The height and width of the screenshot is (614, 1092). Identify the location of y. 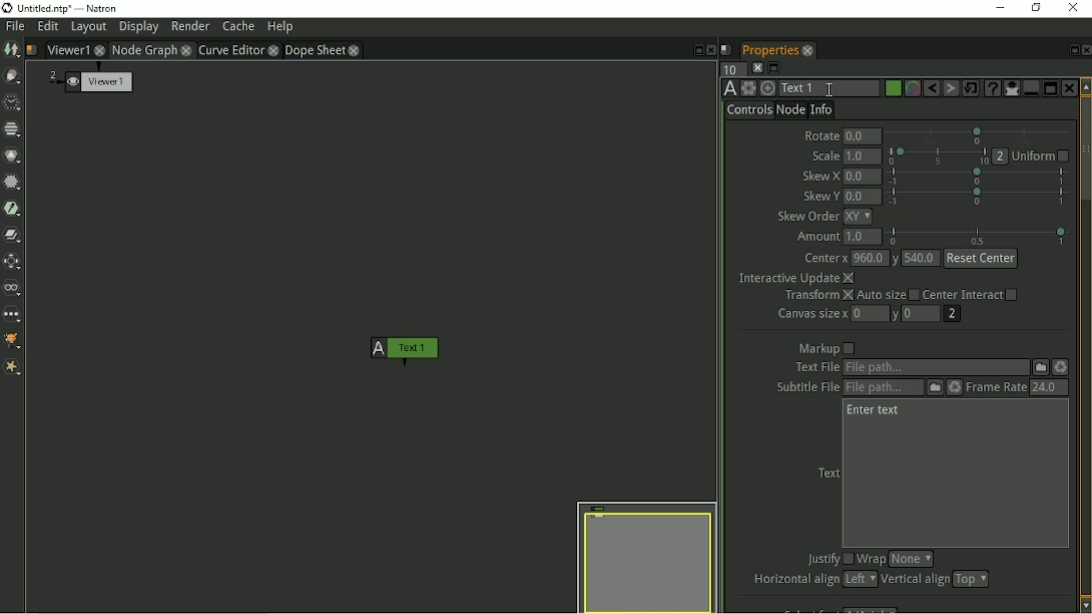
(899, 257).